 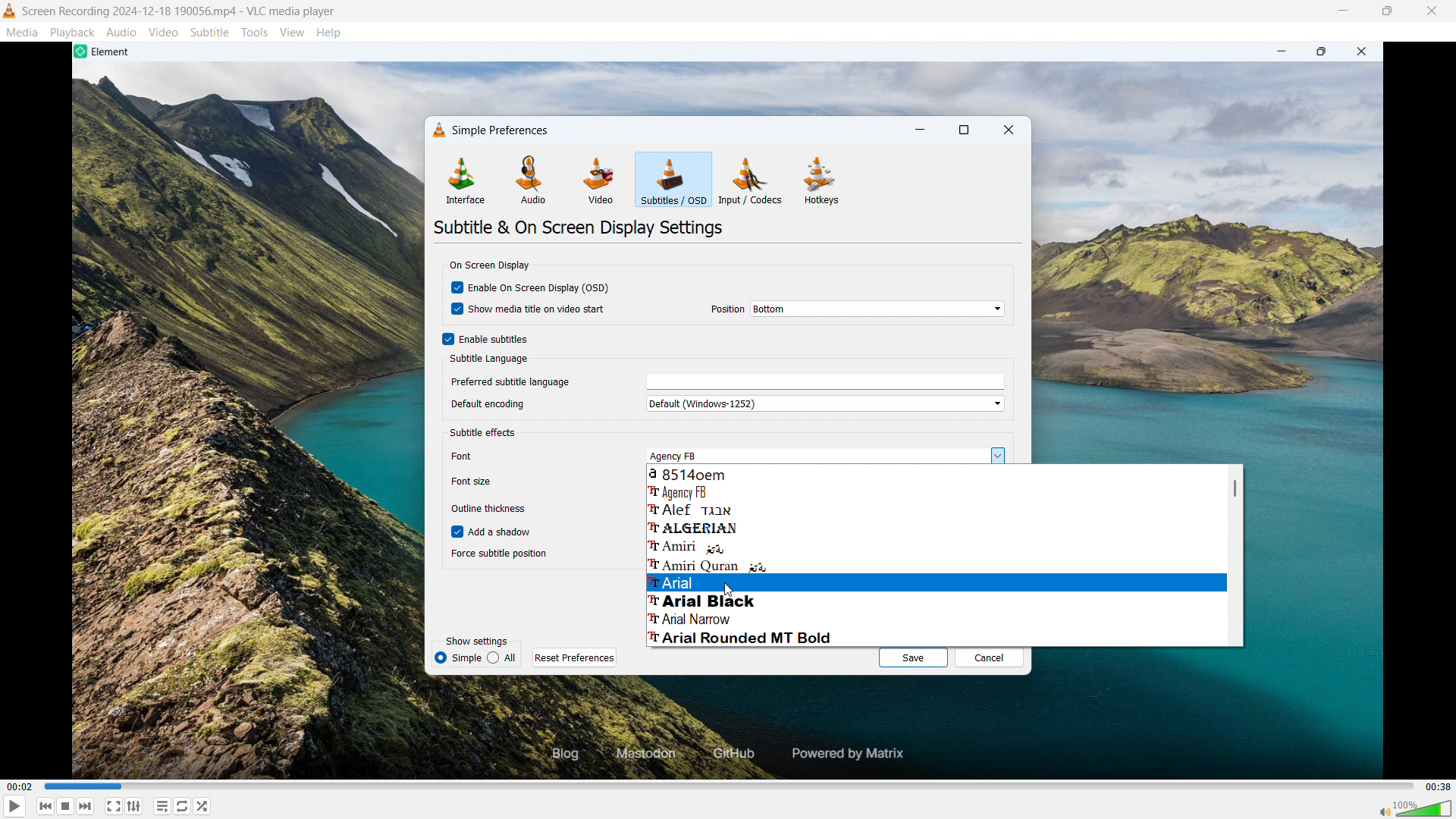 What do you see at coordinates (936, 545) in the screenshot?
I see `amiri` at bounding box center [936, 545].